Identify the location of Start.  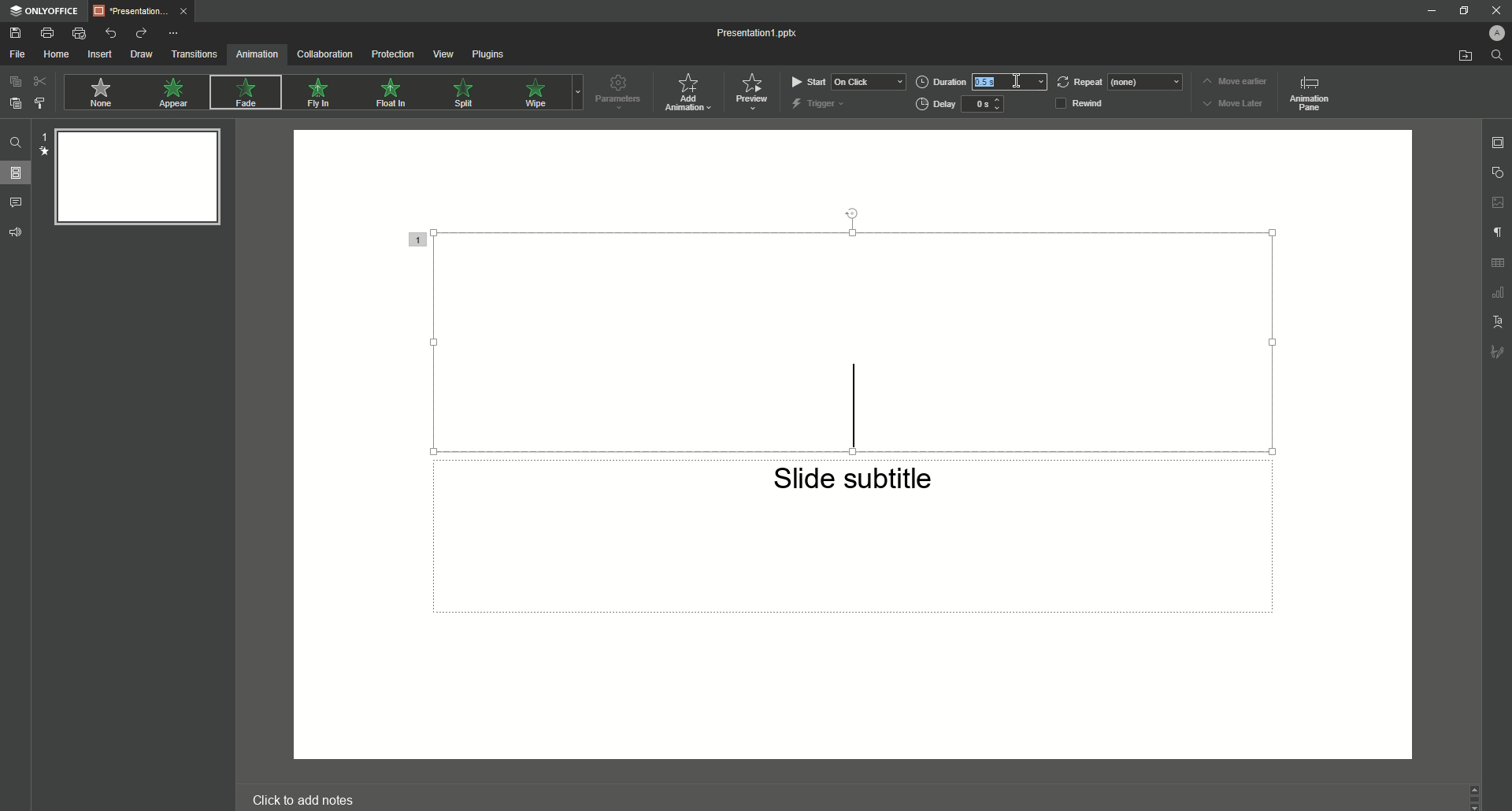
(845, 81).